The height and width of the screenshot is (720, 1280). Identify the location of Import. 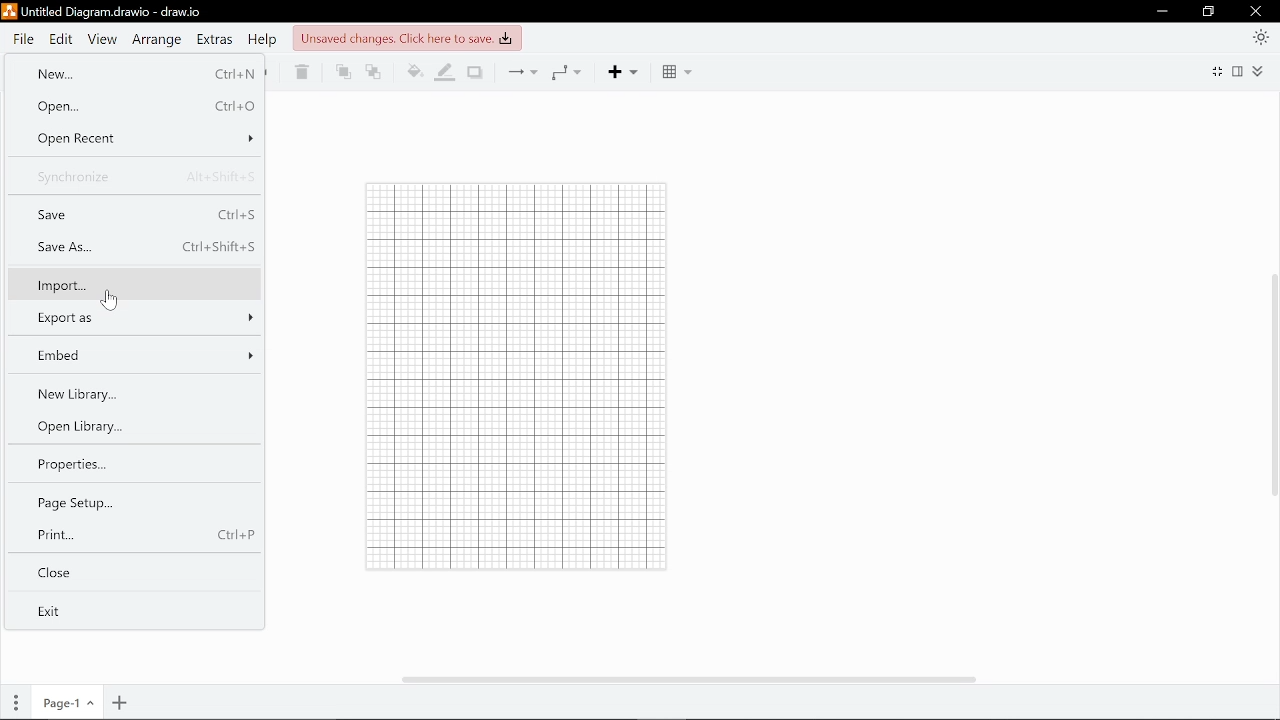
(133, 285).